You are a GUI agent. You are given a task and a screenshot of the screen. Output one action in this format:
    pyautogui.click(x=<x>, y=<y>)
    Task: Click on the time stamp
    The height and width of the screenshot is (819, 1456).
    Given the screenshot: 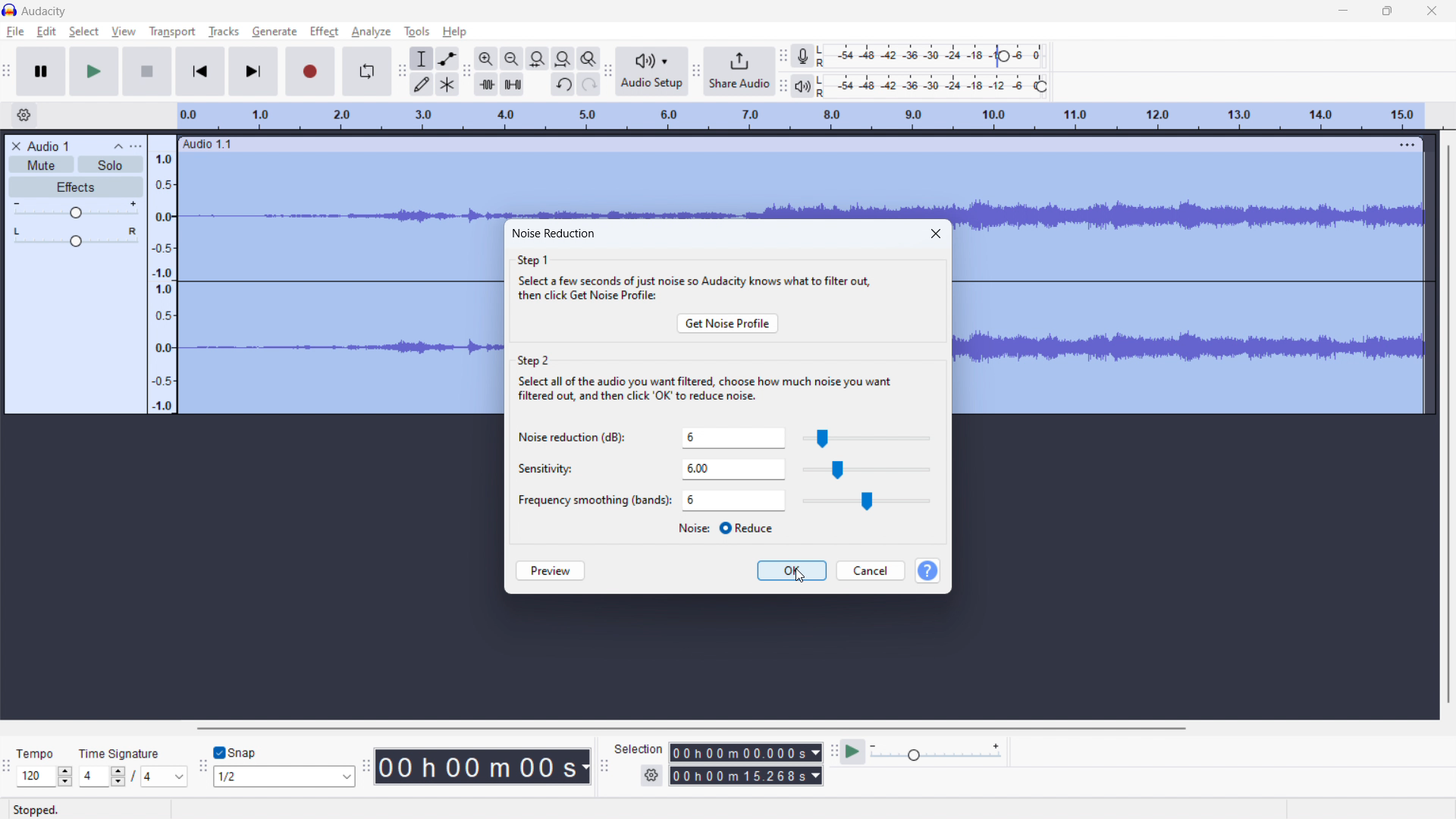 What is the action you would take?
    pyautogui.click(x=482, y=767)
    